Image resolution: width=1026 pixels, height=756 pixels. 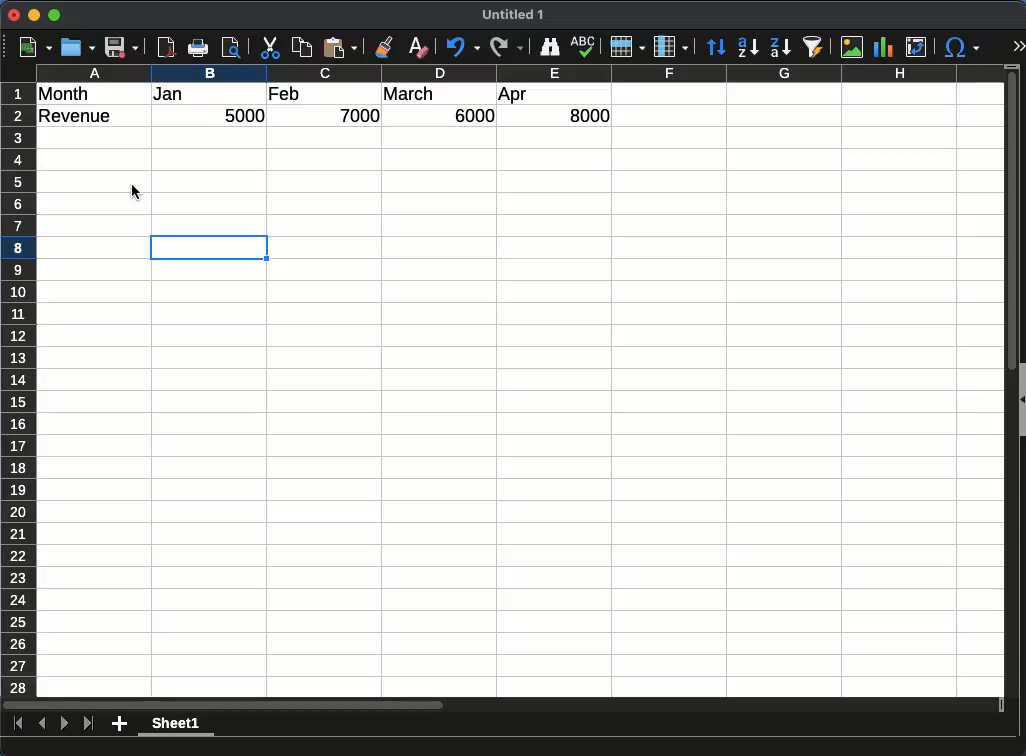 I want to click on expand, so click(x=1019, y=45).